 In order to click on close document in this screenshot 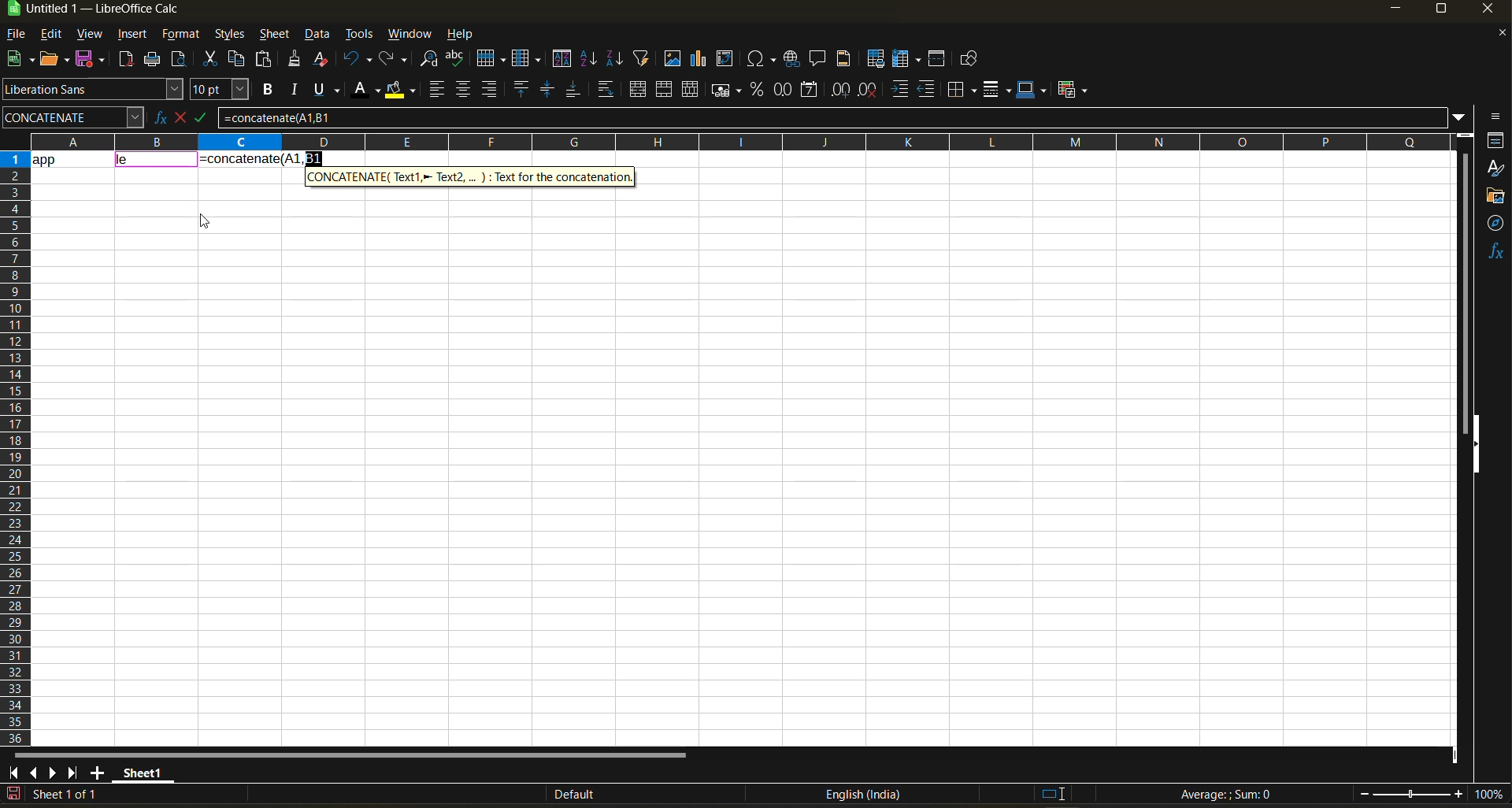, I will do `click(1496, 37)`.